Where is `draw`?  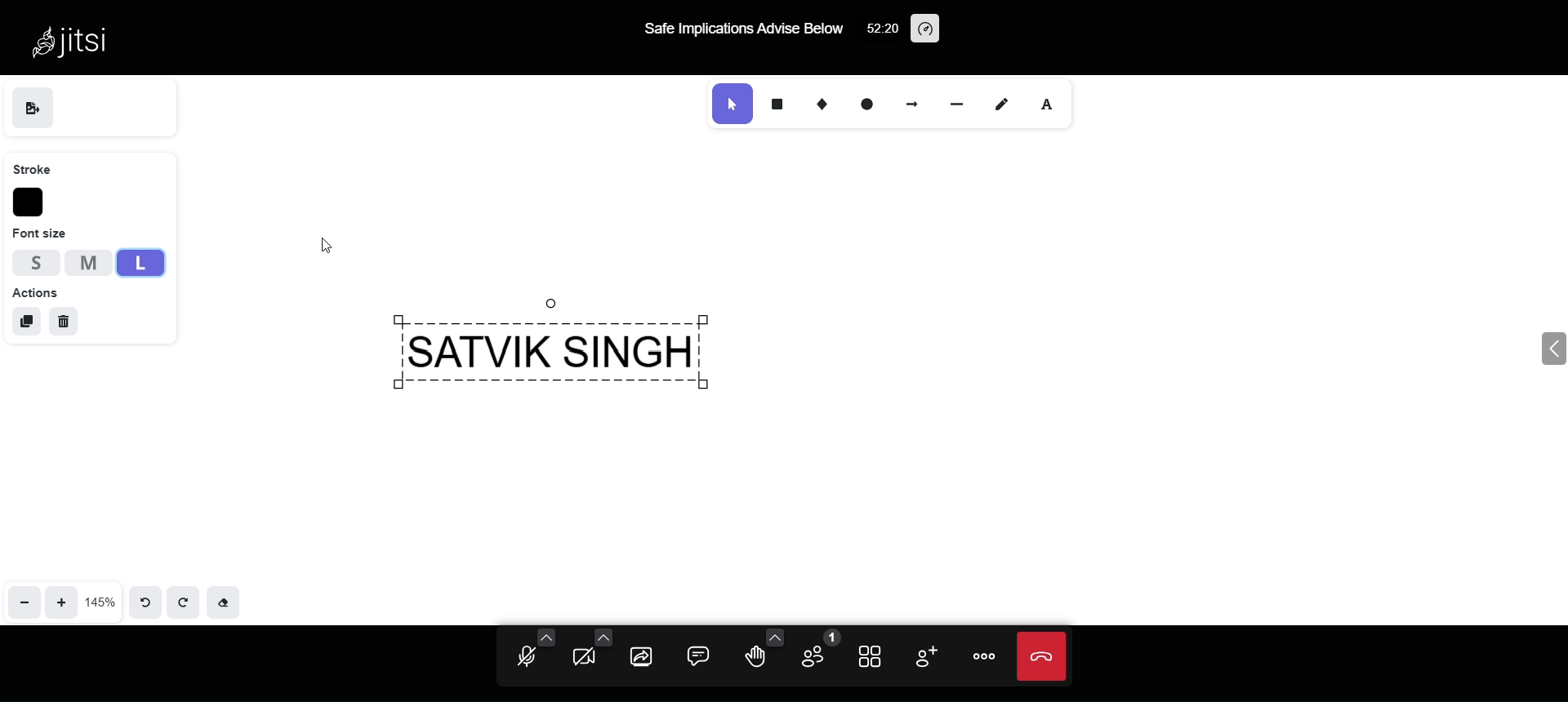 draw is located at coordinates (1004, 104).